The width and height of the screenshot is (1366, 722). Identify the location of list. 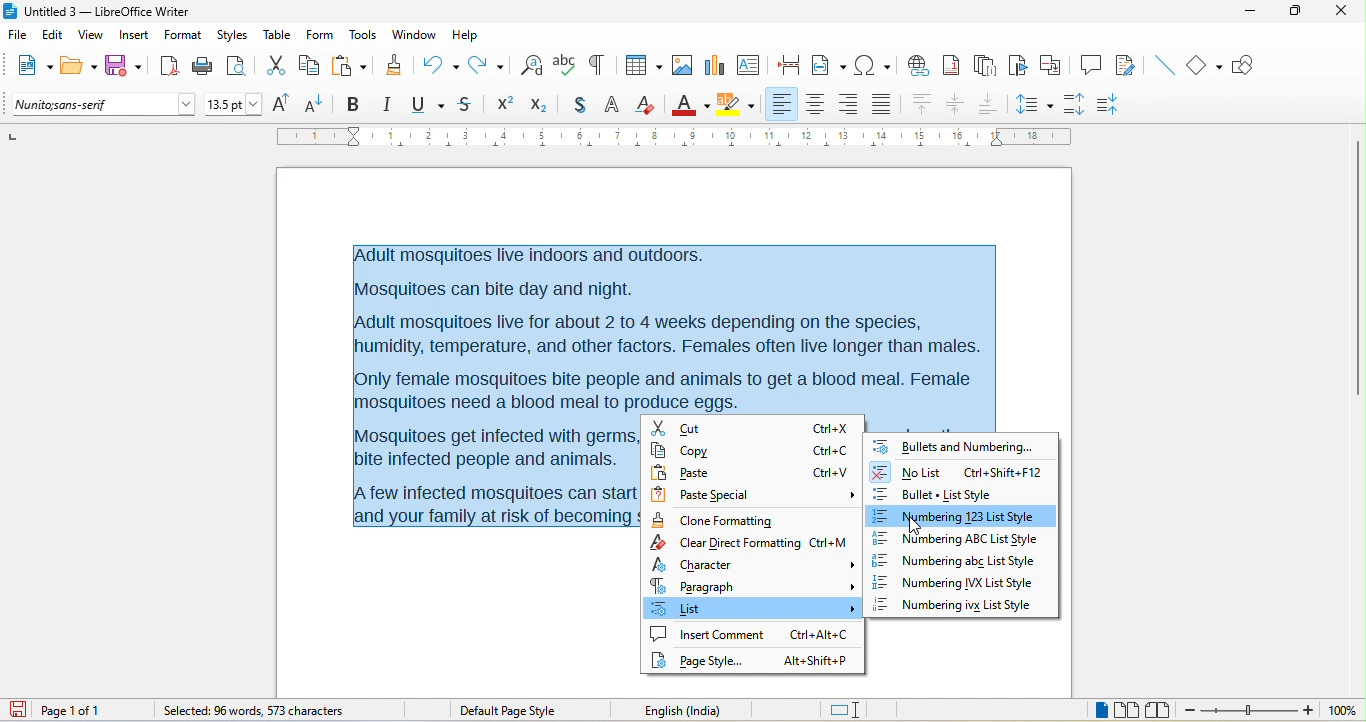
(754, 611).